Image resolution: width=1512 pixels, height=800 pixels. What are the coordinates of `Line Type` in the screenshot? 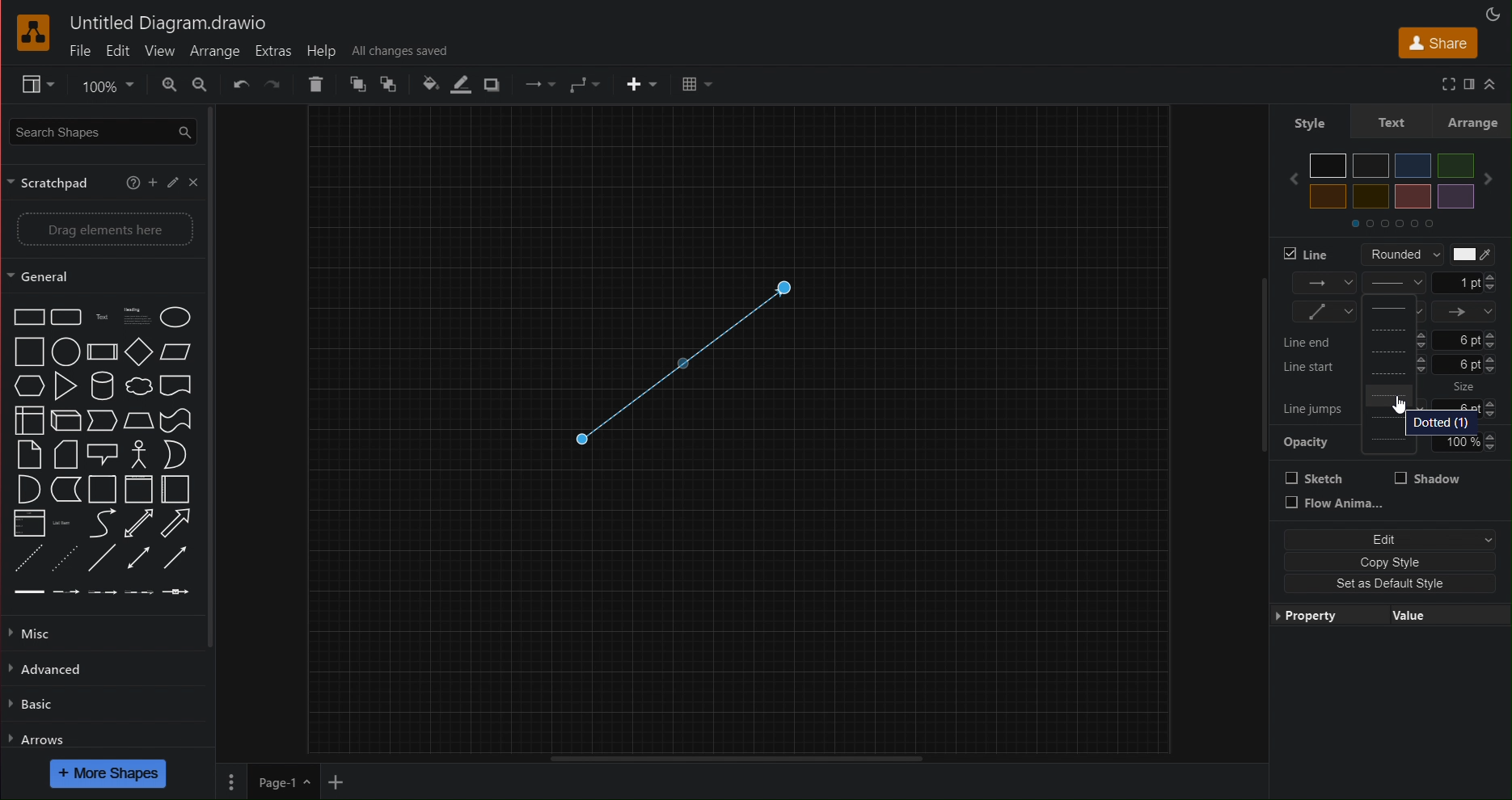 It's located at (1394, 283).